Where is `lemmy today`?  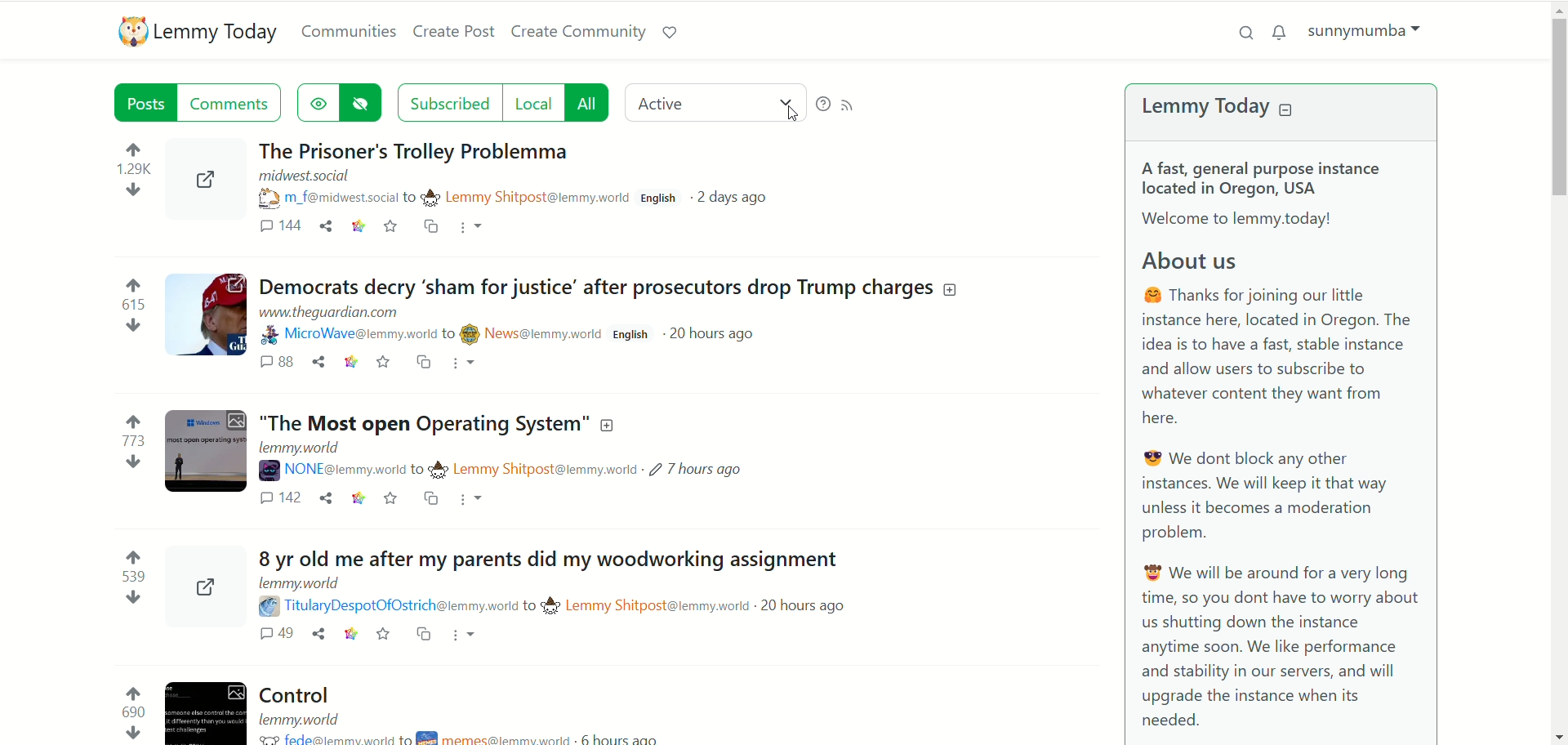 lemmy today is located at coordinates (1221, 106).